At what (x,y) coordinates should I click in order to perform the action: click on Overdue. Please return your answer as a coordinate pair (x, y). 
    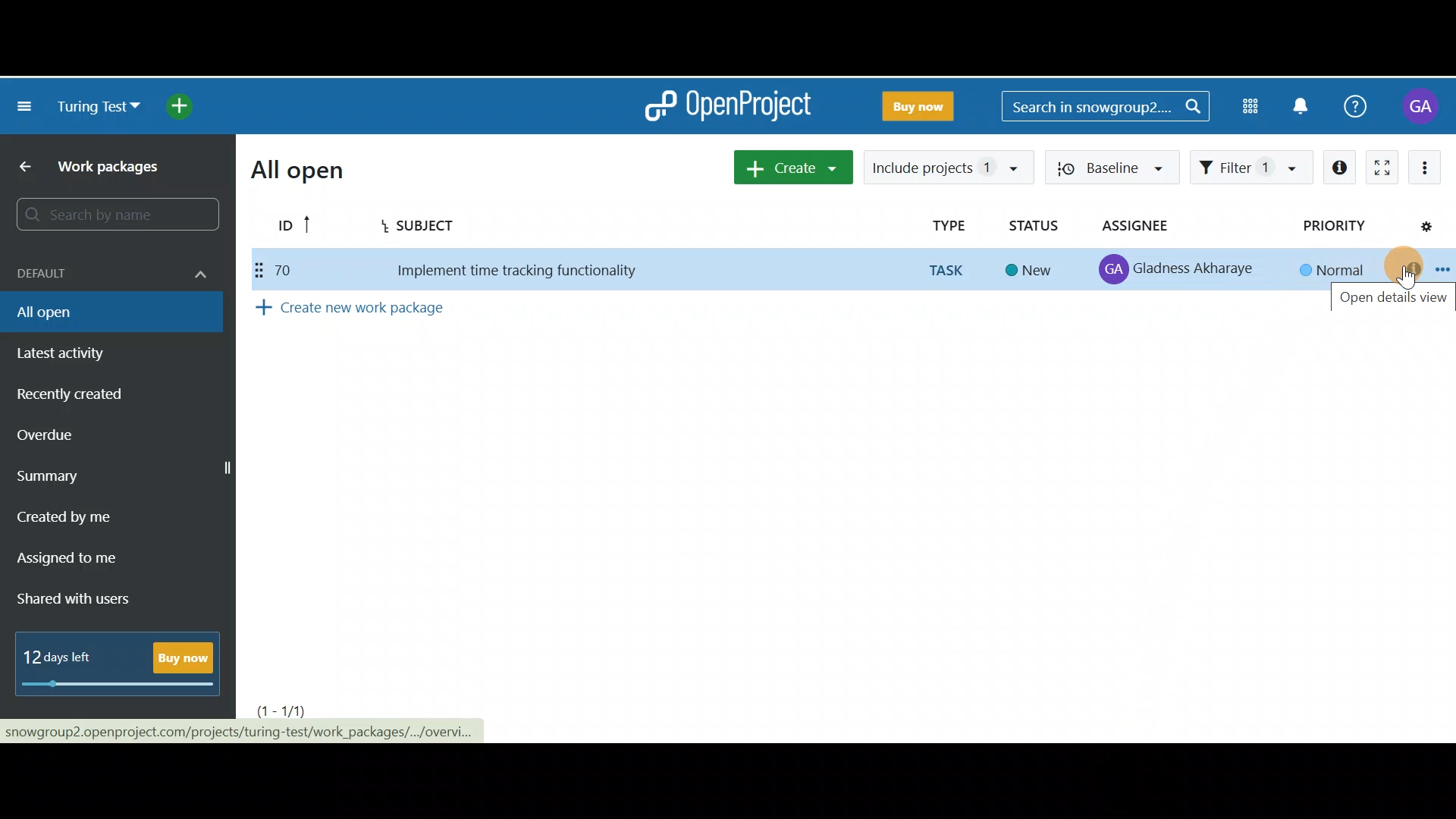
    Looking at the image, I should click on (86, 440).